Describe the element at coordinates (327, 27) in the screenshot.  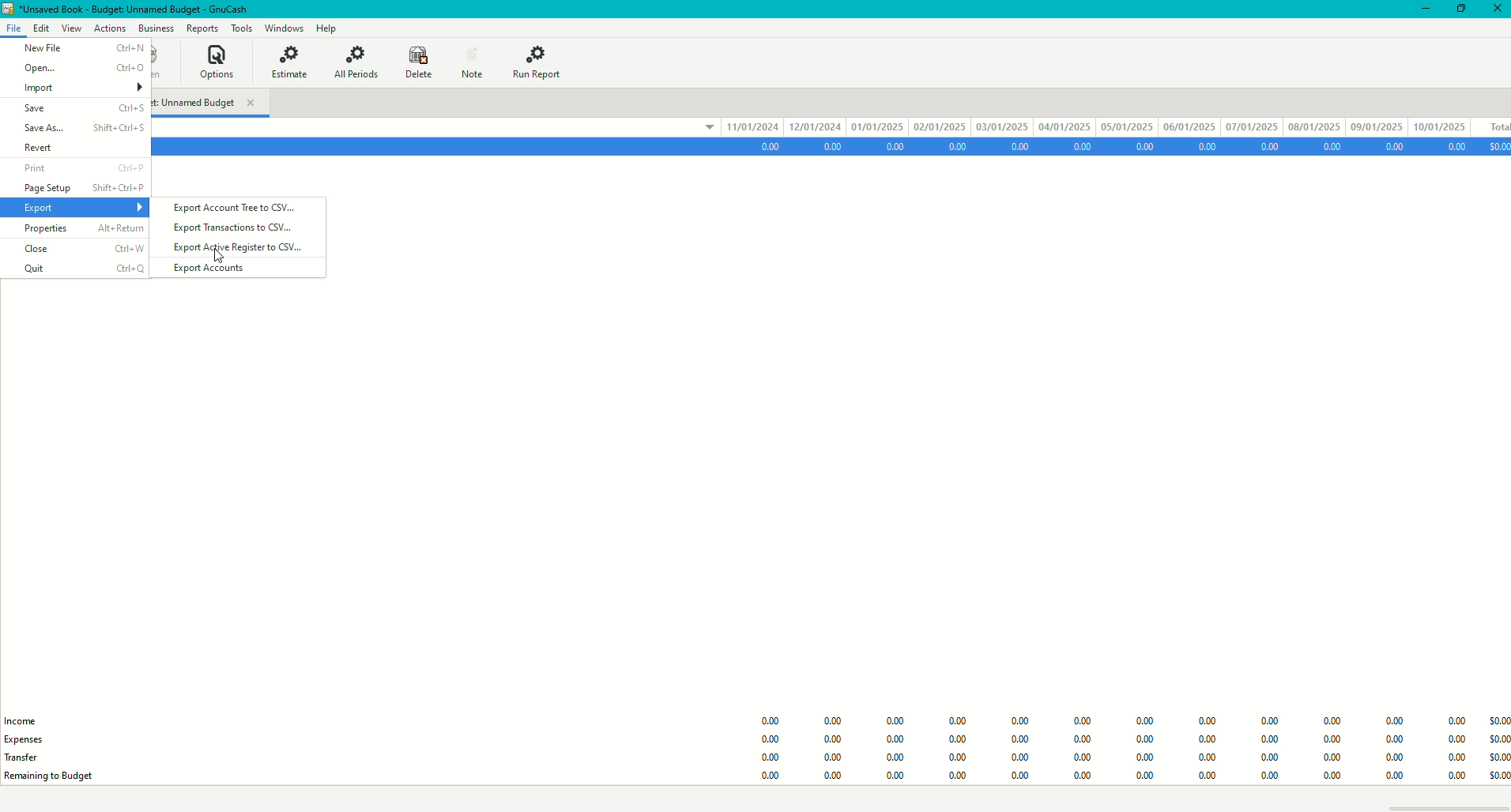
I see `Help` at that location.